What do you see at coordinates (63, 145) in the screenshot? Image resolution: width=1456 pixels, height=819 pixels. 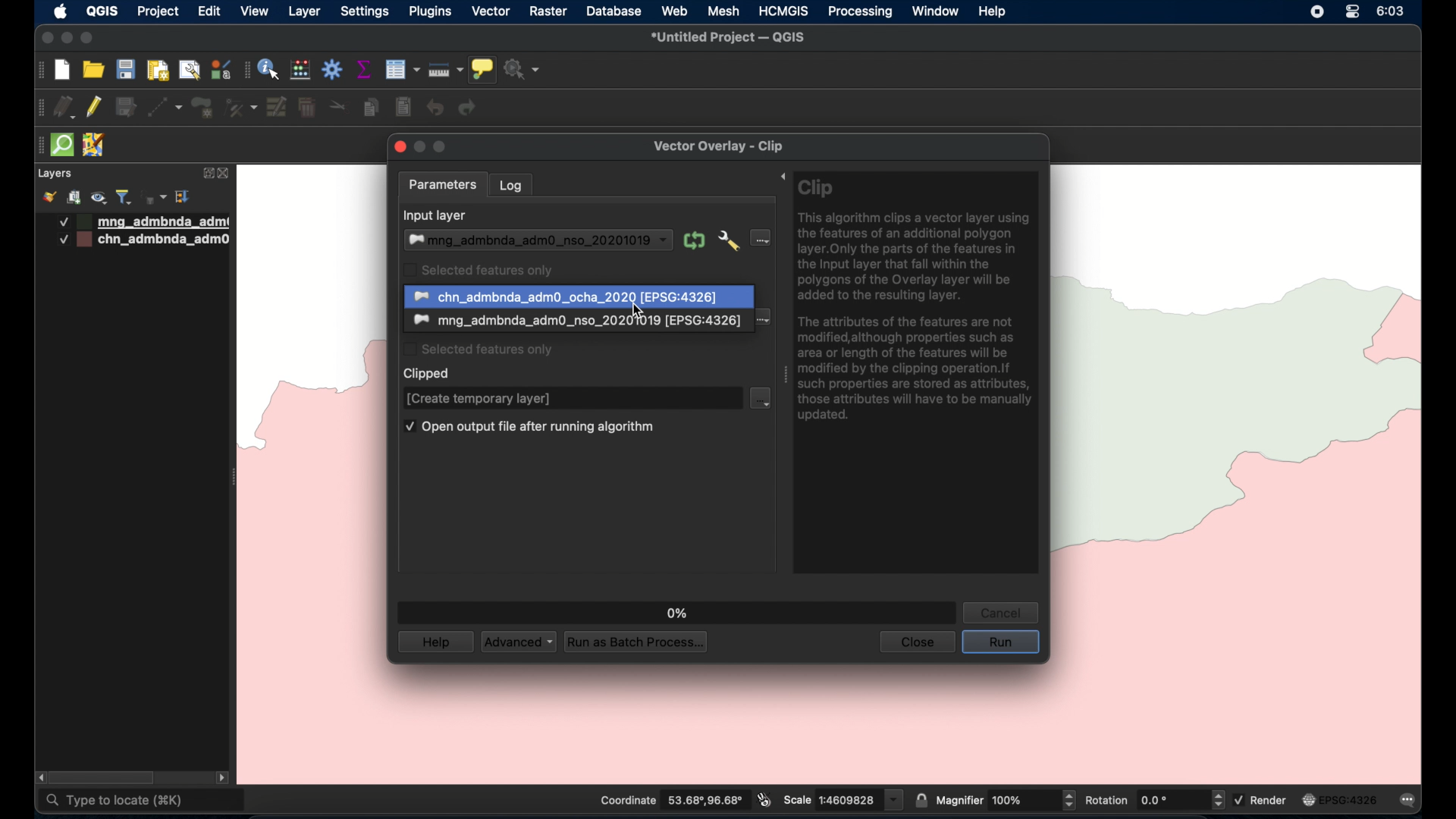 I see `quick osm` at bounding box center [63, 145].